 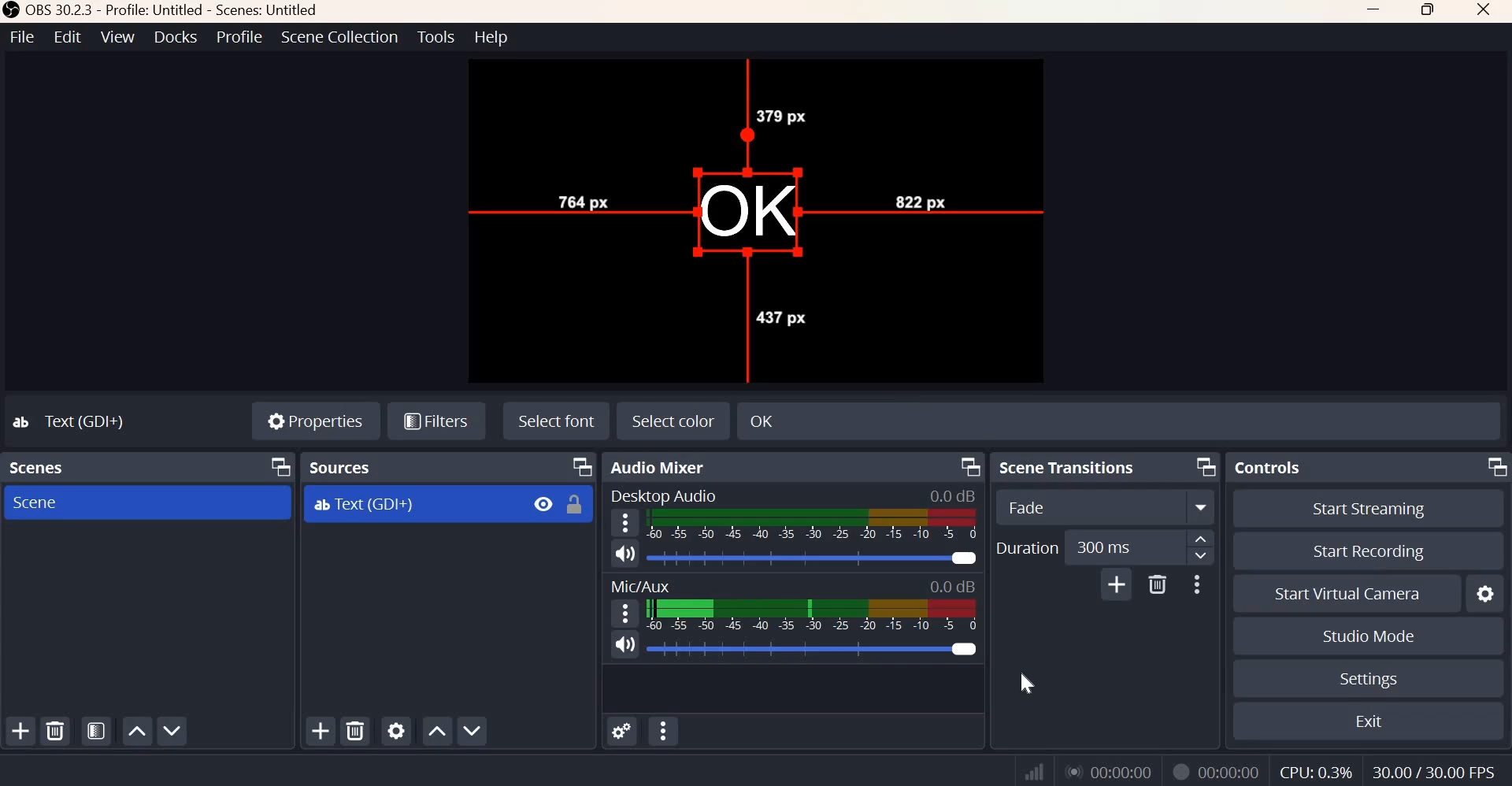 What do you see at coordinates (950, 586) in the screenshot?
I see `Audio Level Indicator` at bounding box center [950, 586].